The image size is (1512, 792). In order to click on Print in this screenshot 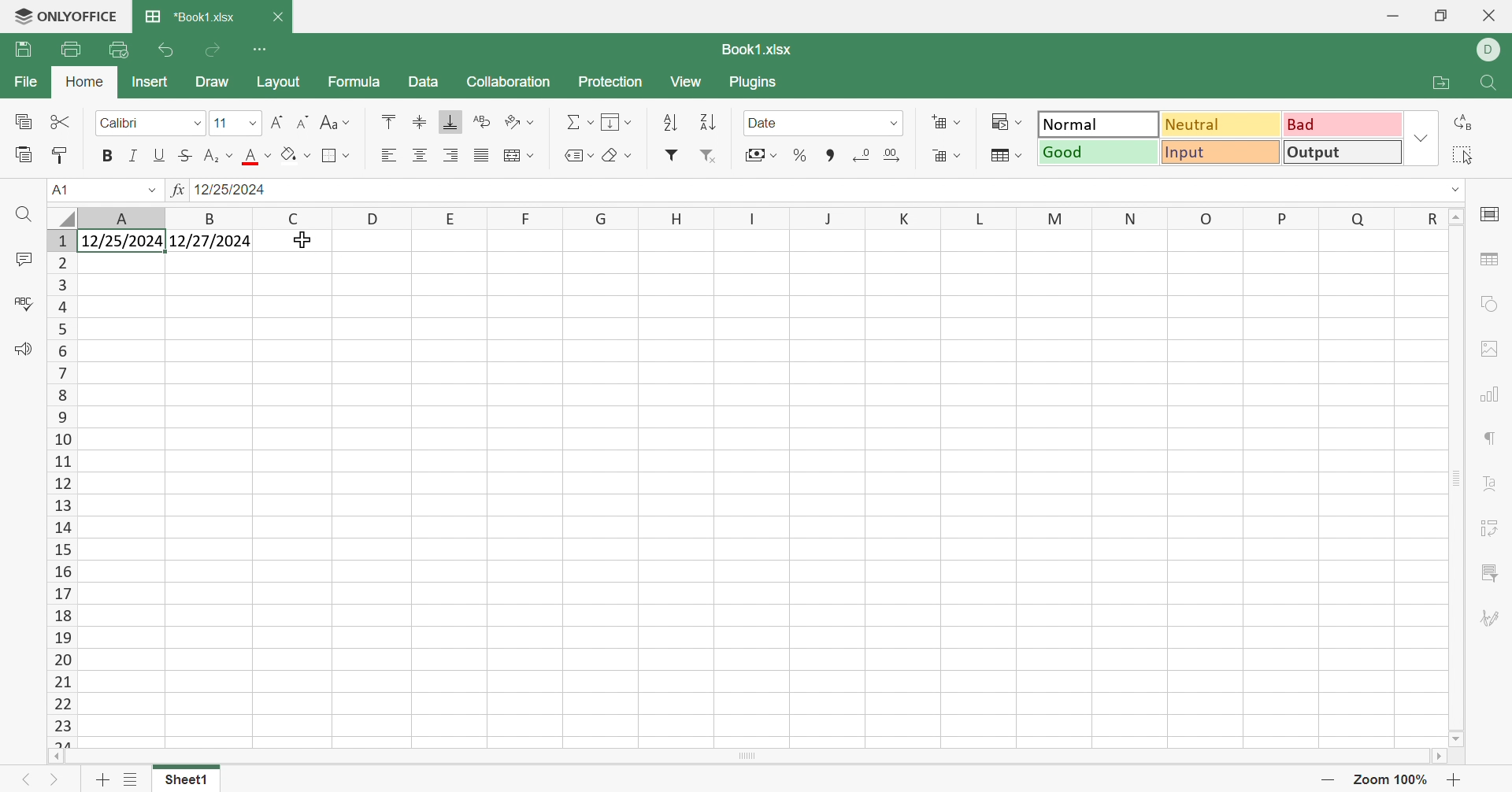, I will do `click(72, 50)`.